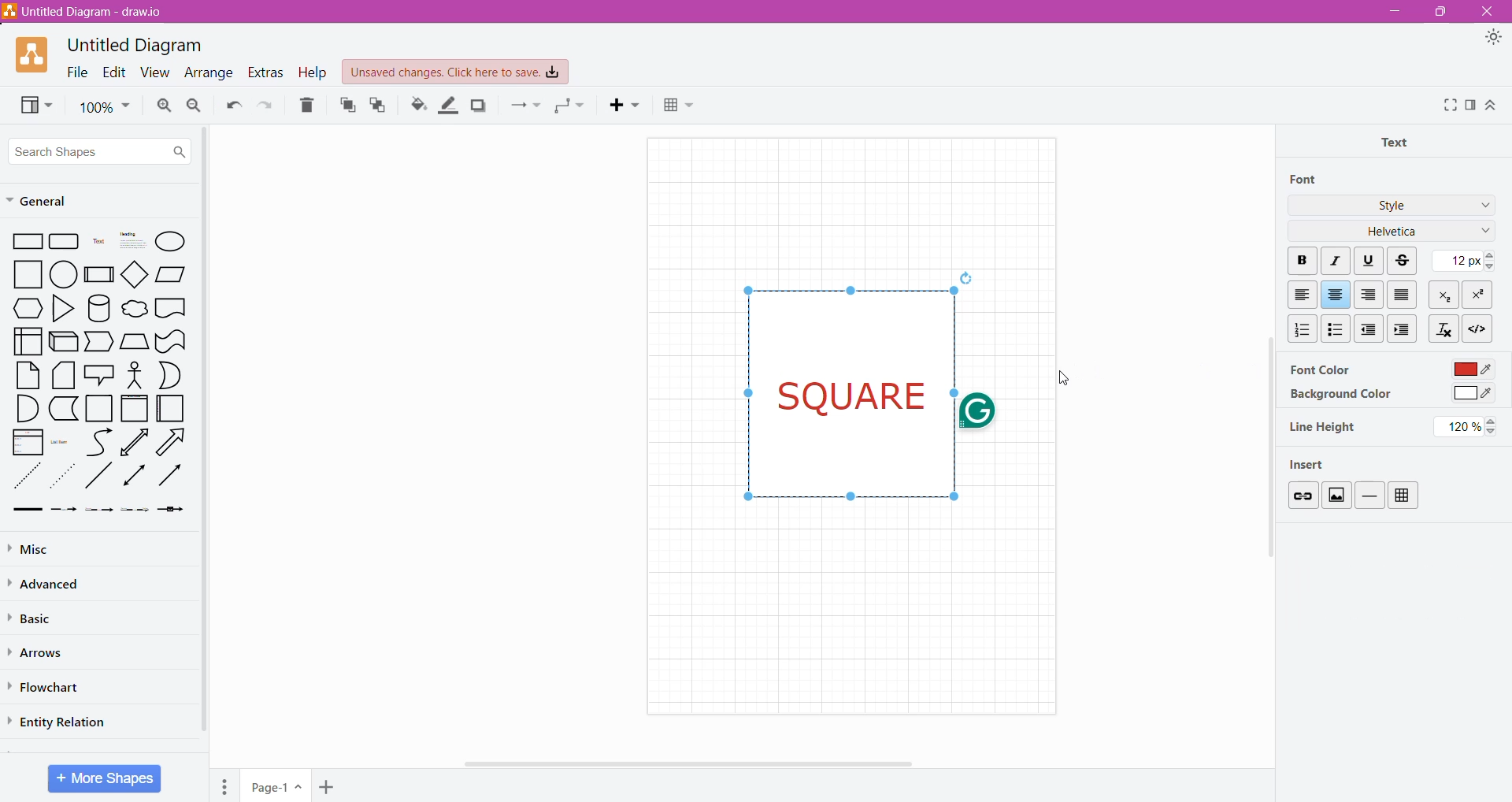  What do you see at coordinates (135, 477) in the screenshot?
I see `Double Arrow ` at bounding box center [135, 477].